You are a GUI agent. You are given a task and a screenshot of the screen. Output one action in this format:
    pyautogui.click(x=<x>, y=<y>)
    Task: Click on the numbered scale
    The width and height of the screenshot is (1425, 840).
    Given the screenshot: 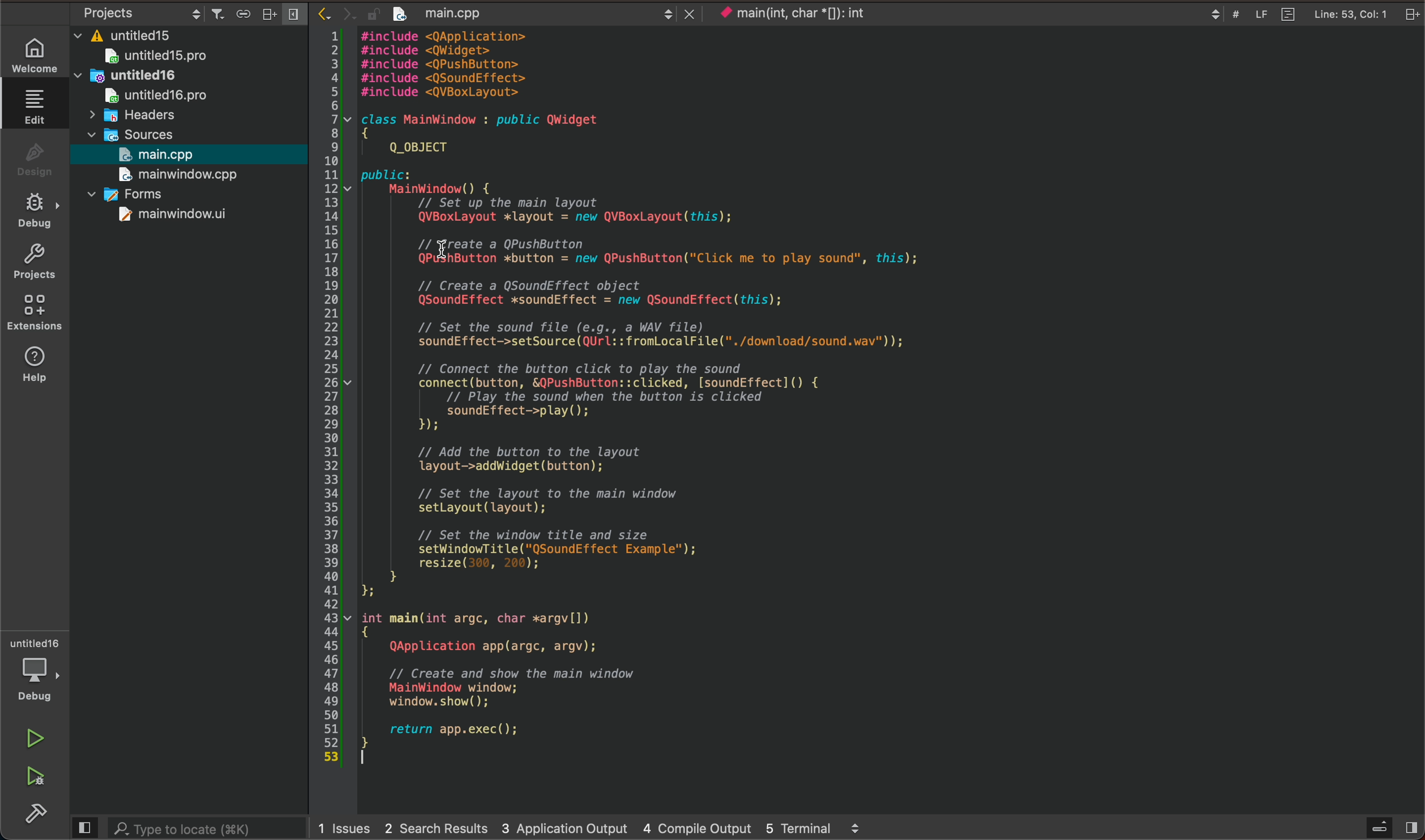 What is the action you would take?
    pyautogui.click(x=336, y=400)
    